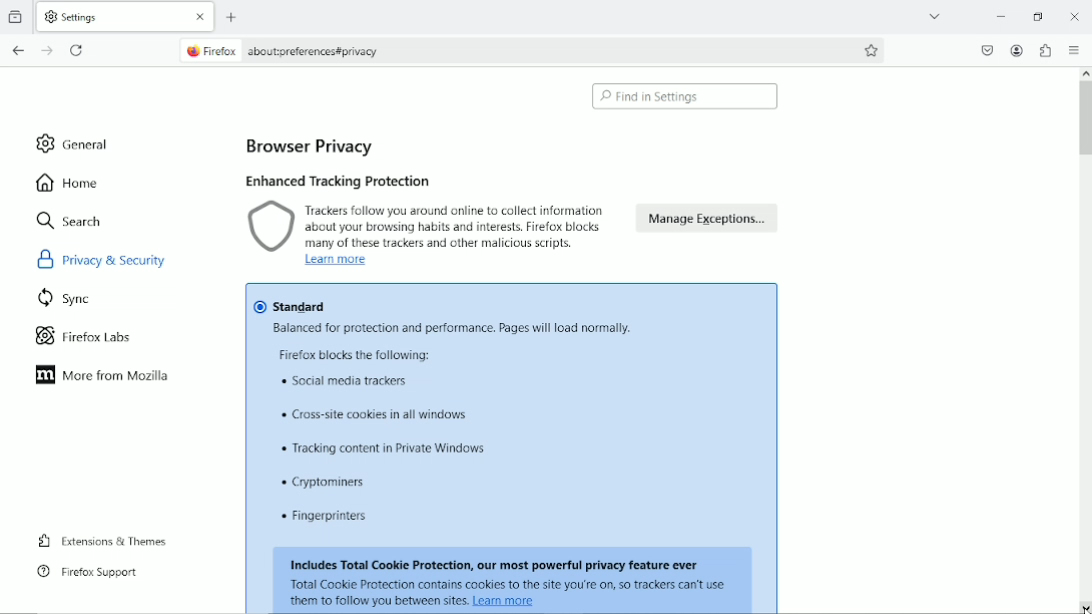 Image resolution: width=1092 pixels, height=614 pixels. I want to click on close, so click(202, 17).